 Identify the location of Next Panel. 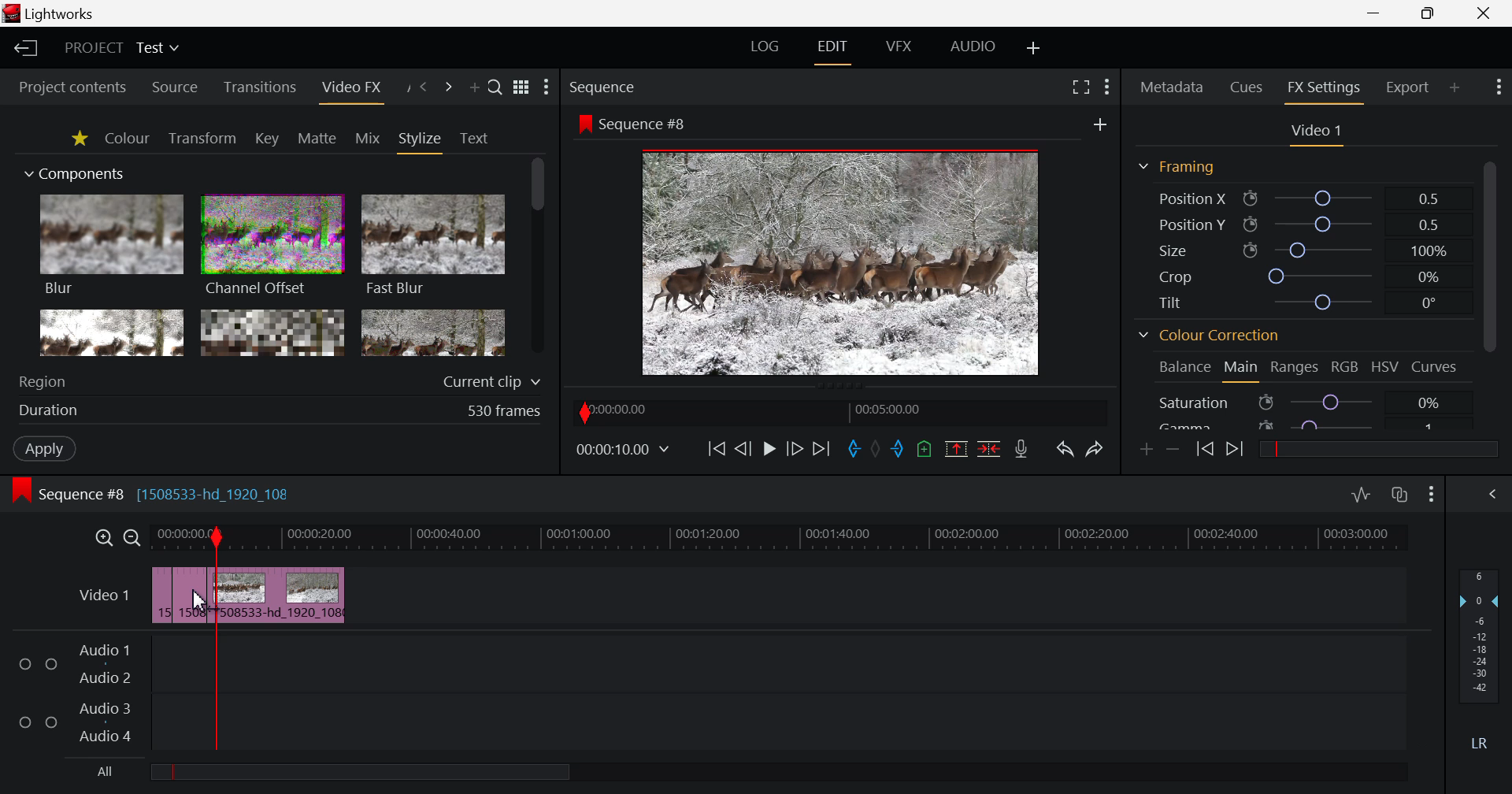
(446, 87).